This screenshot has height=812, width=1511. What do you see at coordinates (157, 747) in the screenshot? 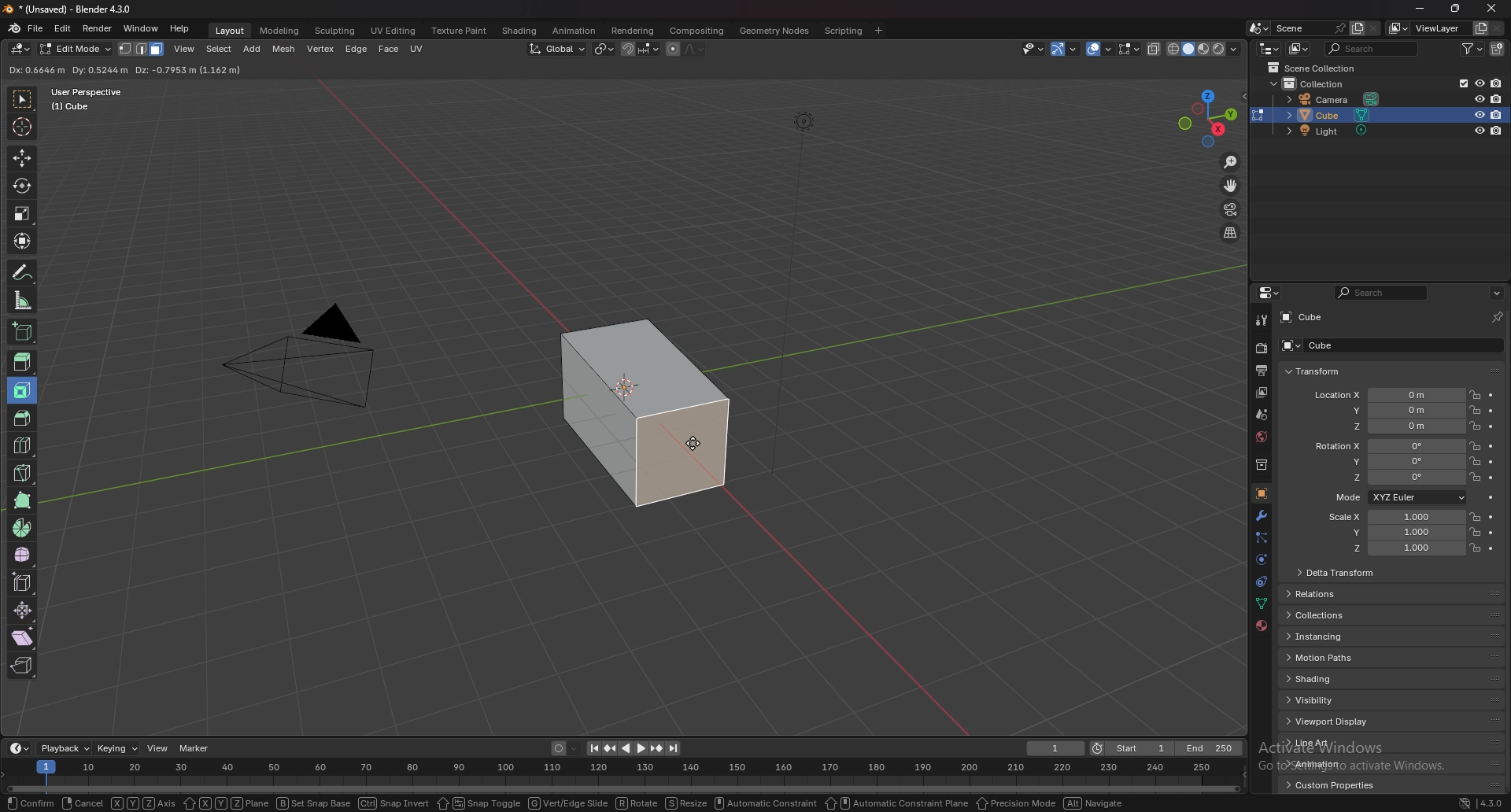
I see `view` at bounding box center [157, 747].